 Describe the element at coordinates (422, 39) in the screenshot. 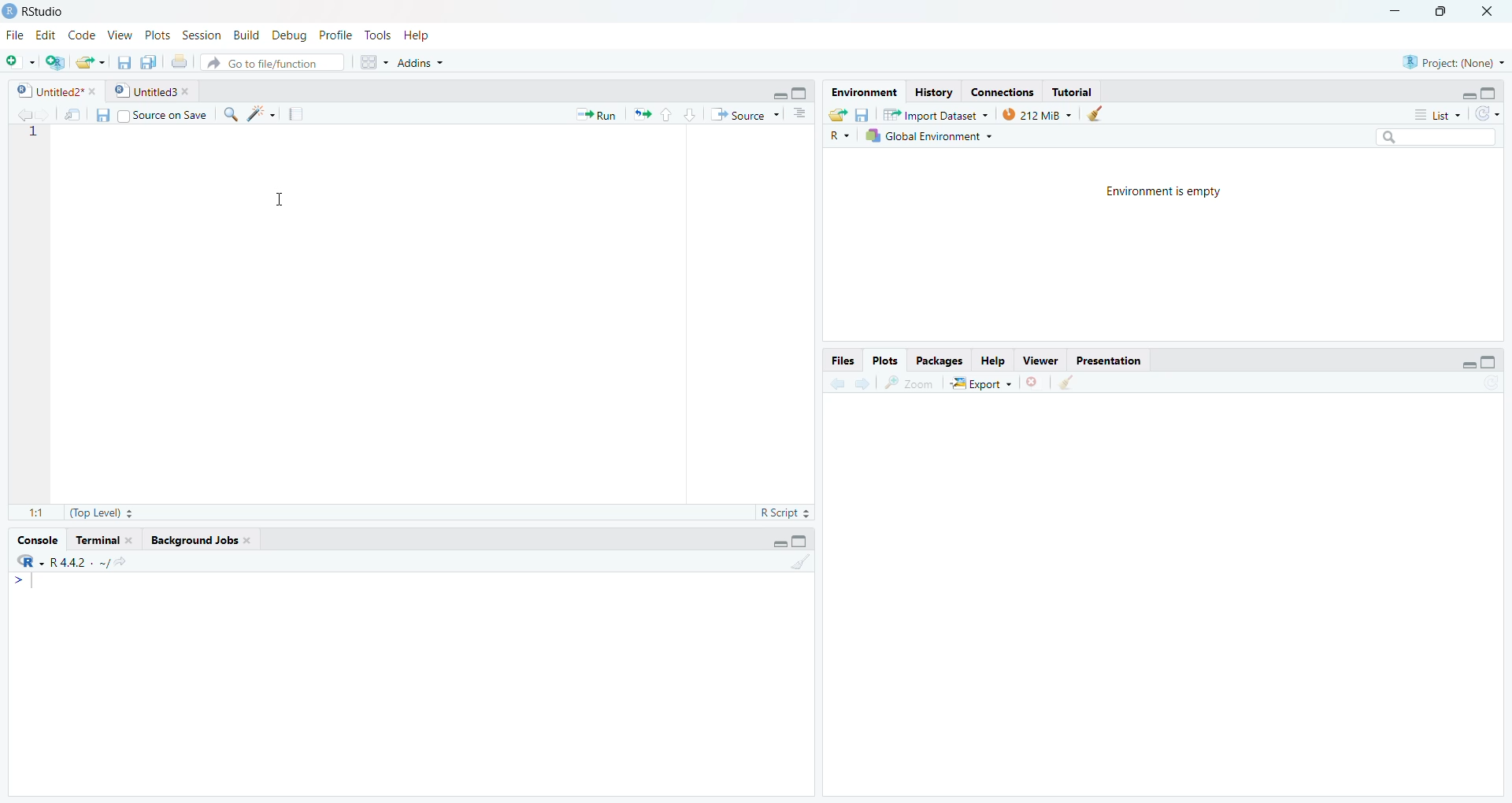

I see `help` at that location.